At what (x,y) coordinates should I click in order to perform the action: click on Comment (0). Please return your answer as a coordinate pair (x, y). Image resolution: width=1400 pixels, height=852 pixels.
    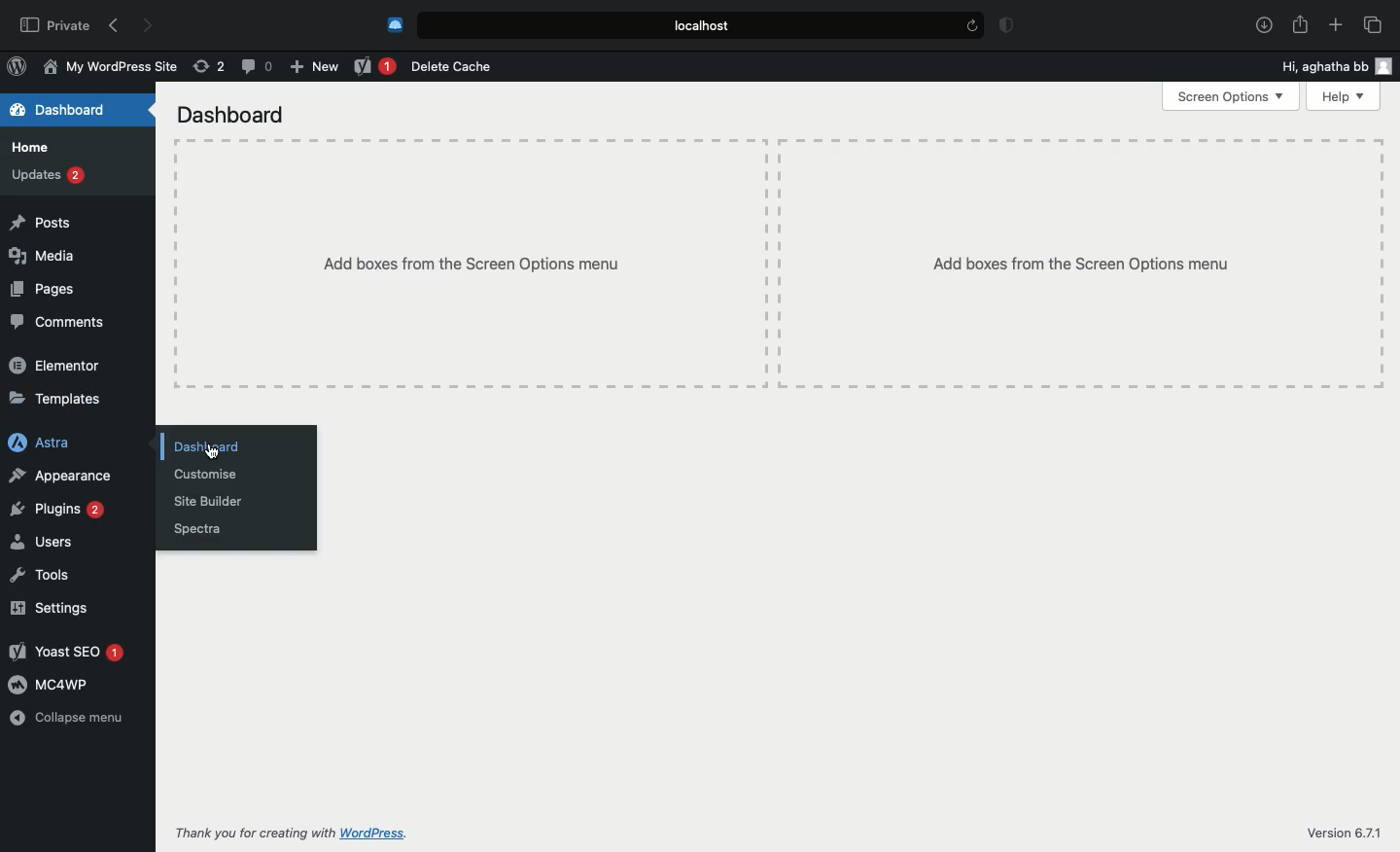
    Looking at the image, I should click on (258, 65).